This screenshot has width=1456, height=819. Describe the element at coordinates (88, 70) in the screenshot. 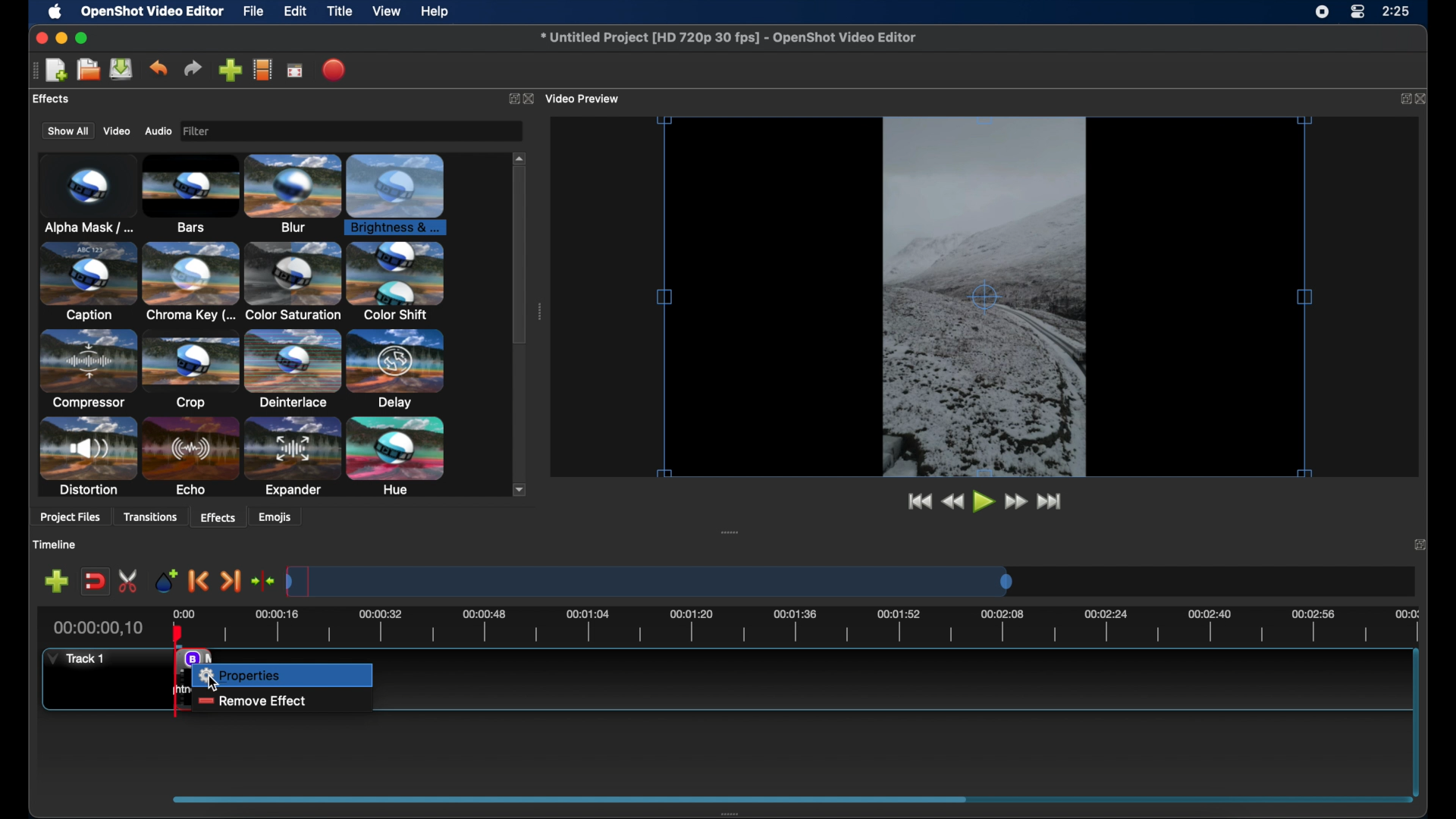

I see `open project` at that location.